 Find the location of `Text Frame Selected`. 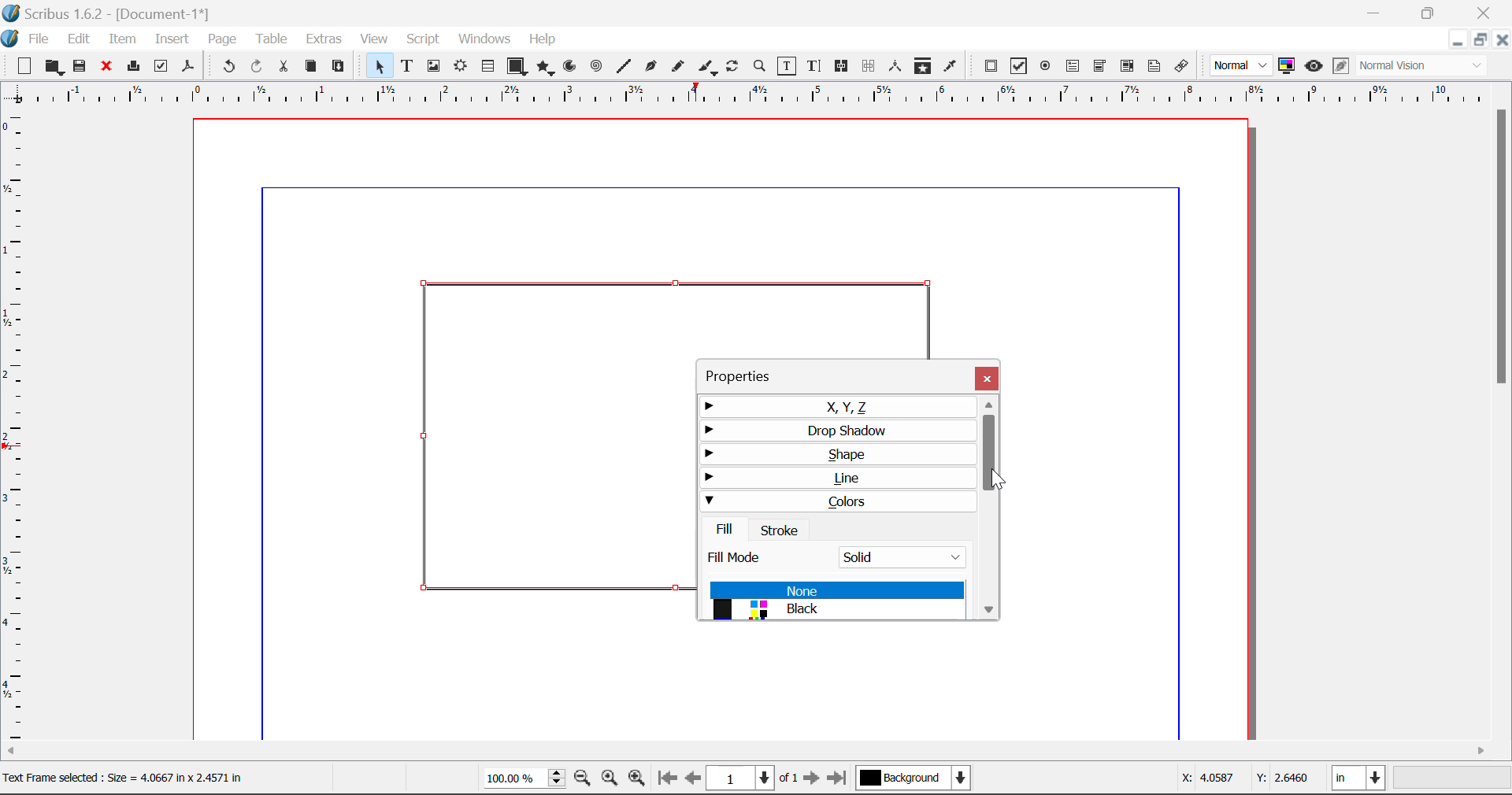

Text Frame Selected is located at coordinates (406, 65).